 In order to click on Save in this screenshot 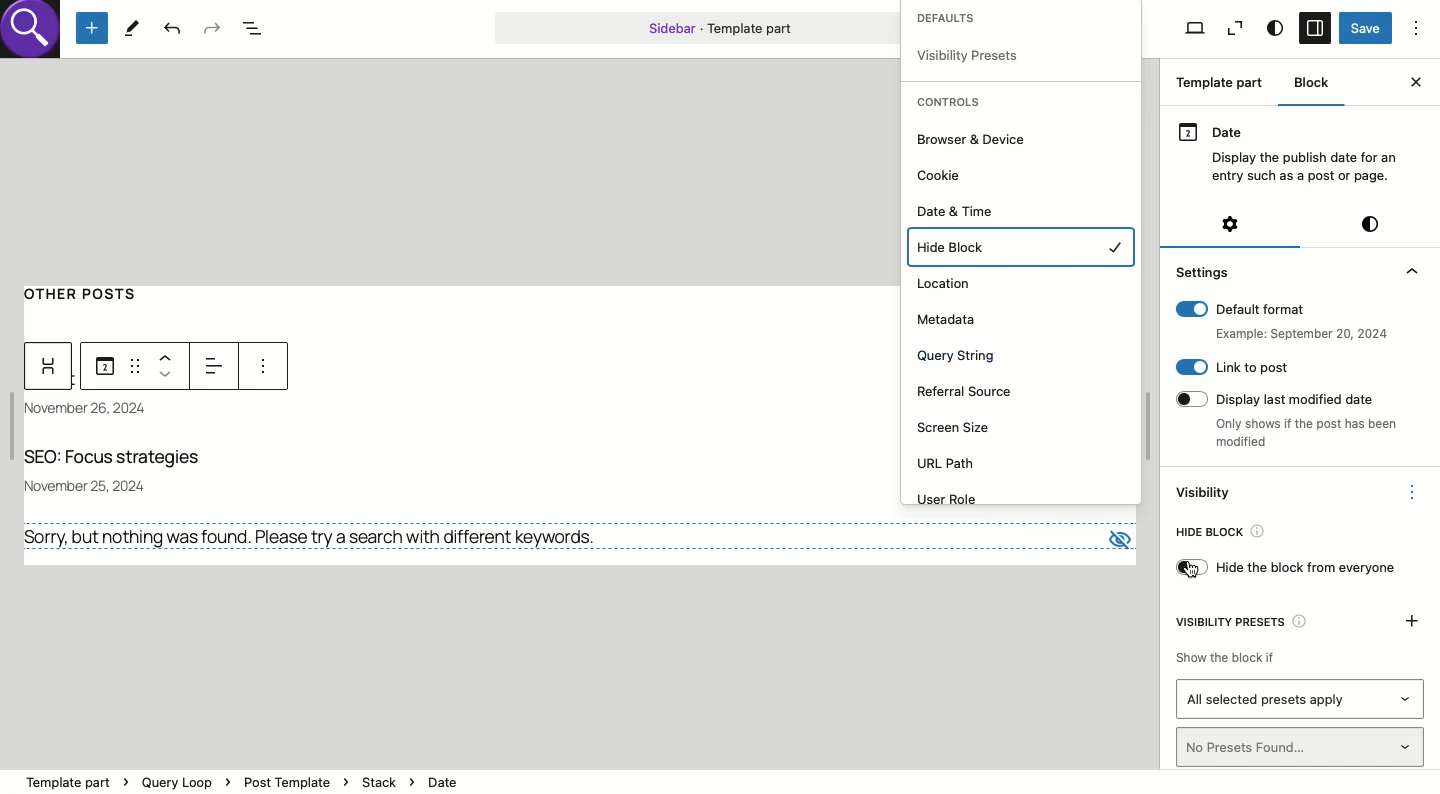, I will do `click(1365, 29)`.